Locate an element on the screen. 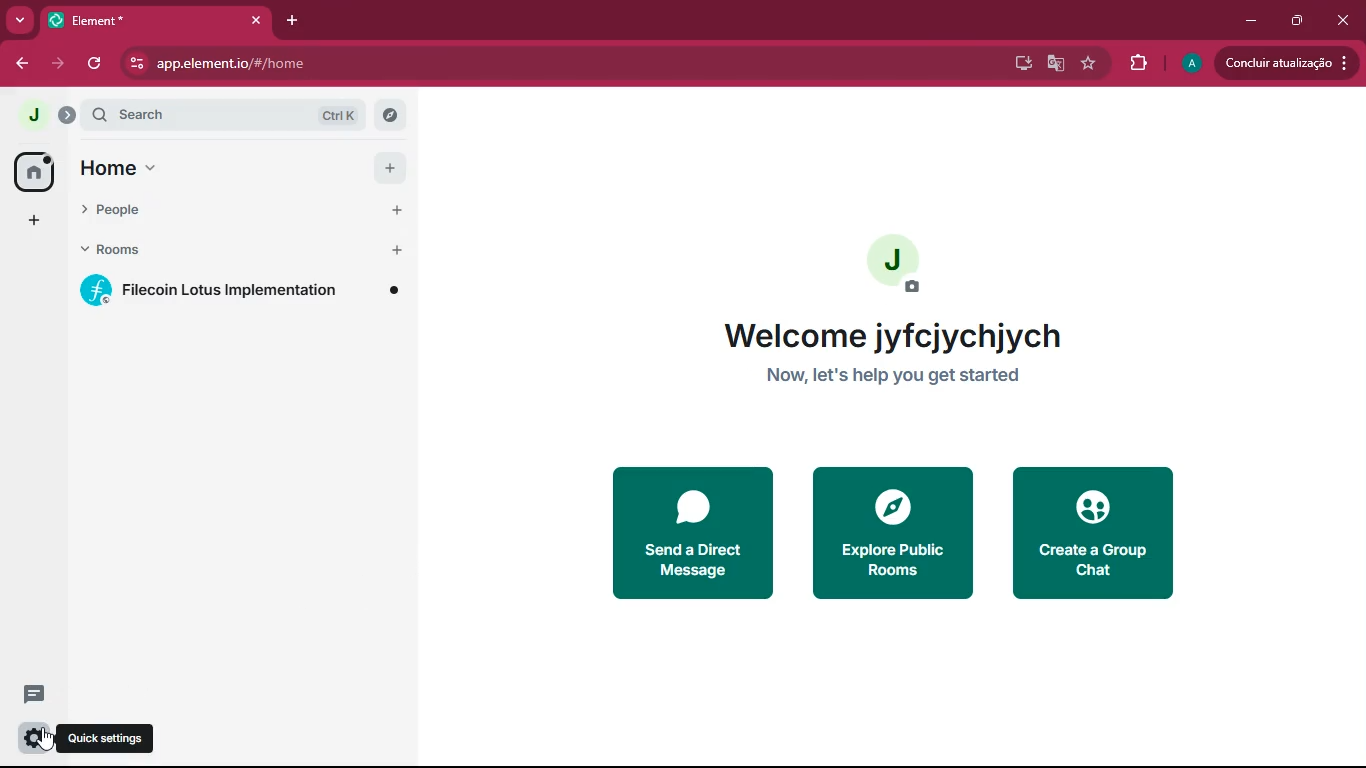 This screenshot has height=768, width=1366. settings is located at coordinates (37, 739).